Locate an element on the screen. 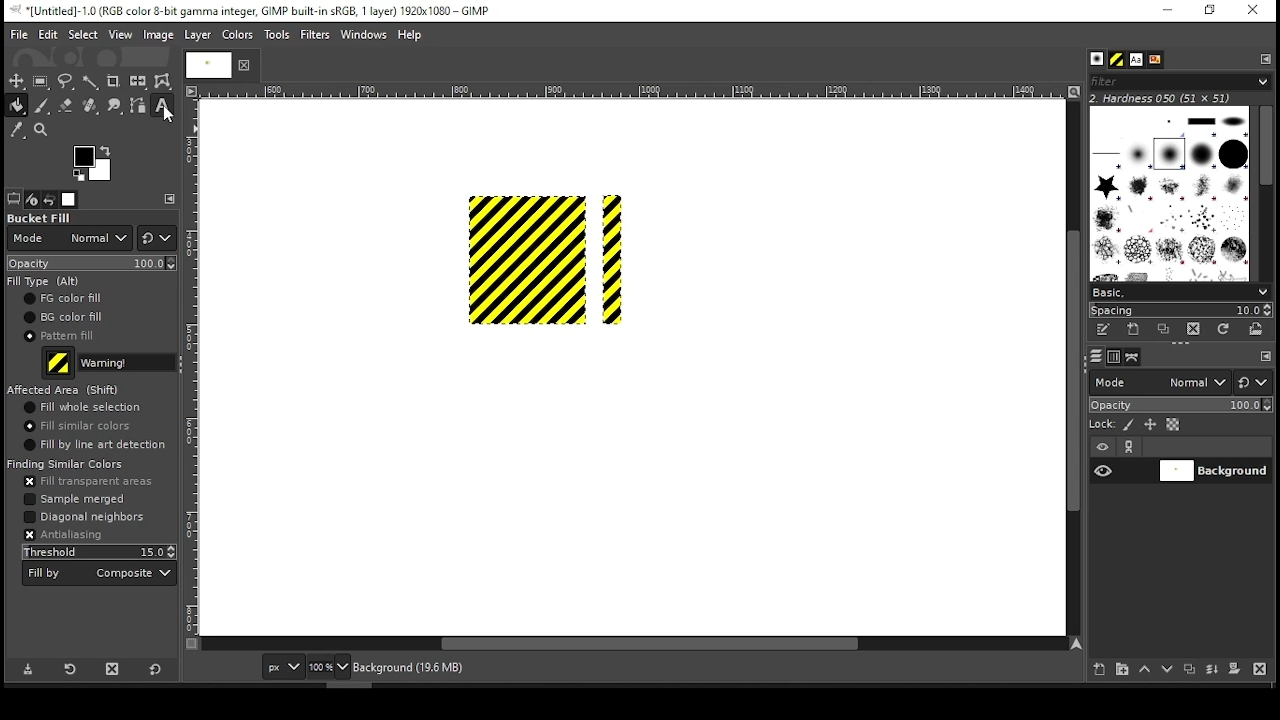 The image size is (1280, 720). lock alpha channel is located at coordinates (1172, 425).